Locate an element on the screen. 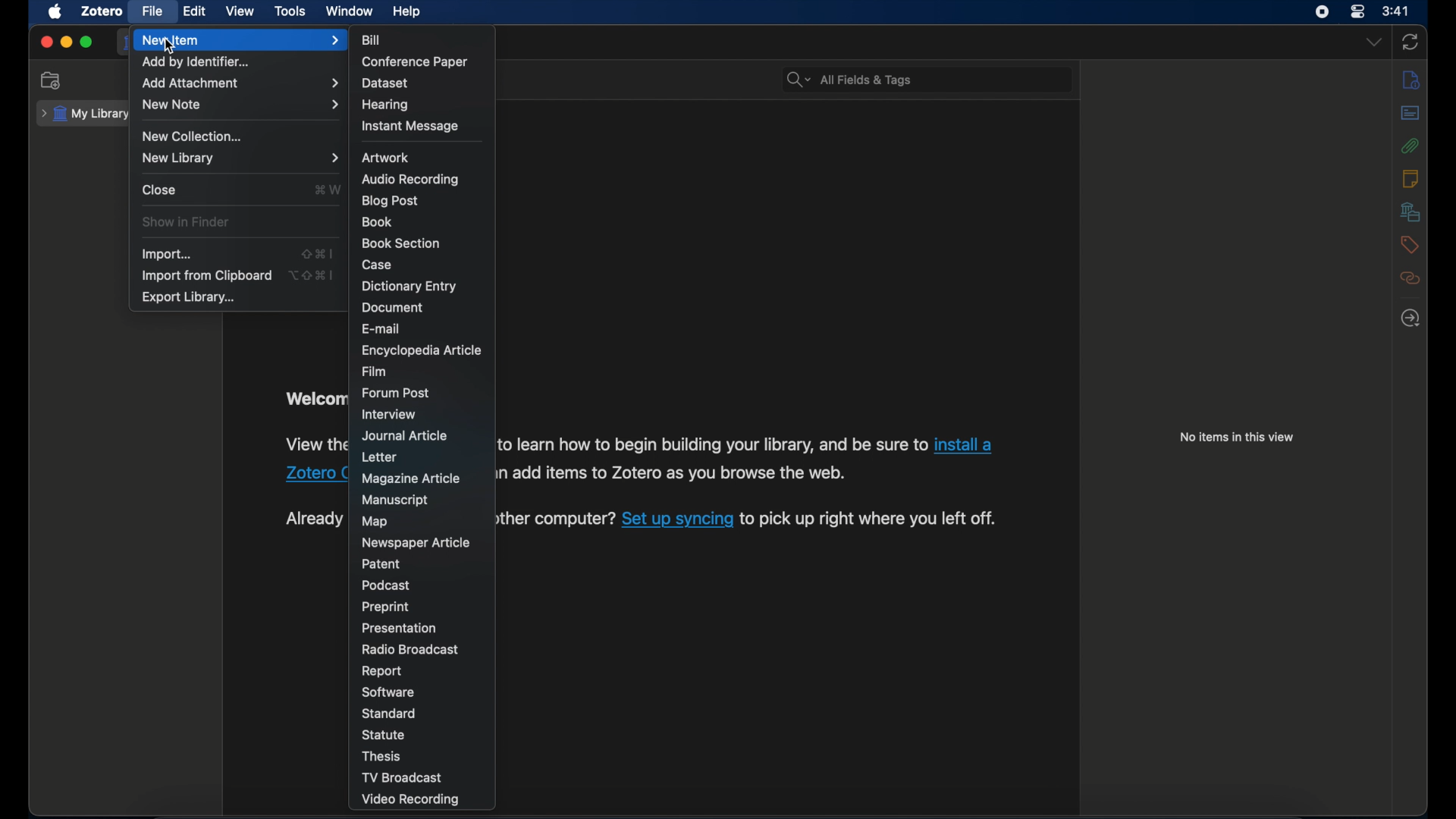 This screenshot has height=819, width=1456. link is located at coordinates (964, 444).